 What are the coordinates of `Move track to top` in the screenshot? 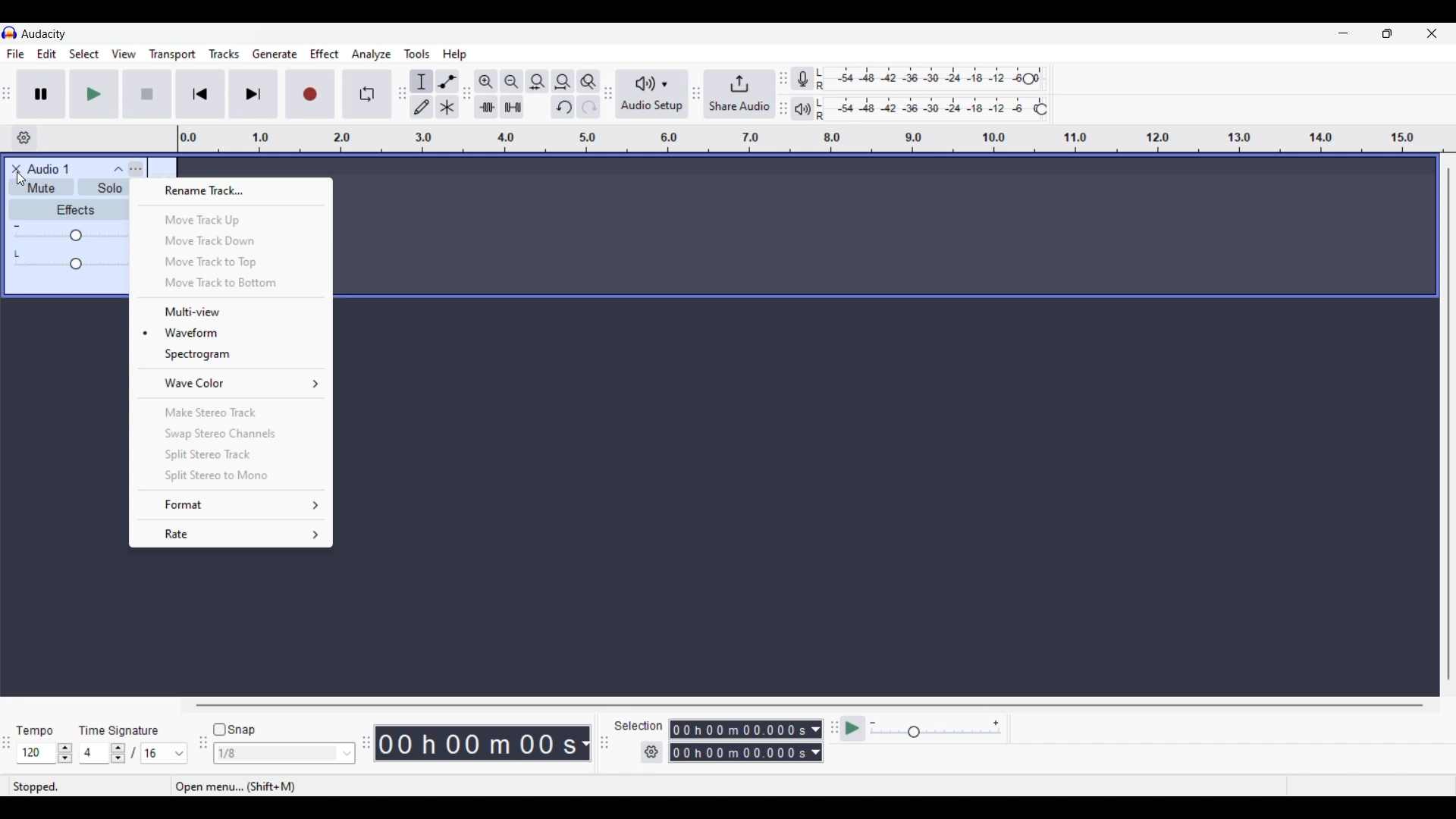 It's located at (230, 262).